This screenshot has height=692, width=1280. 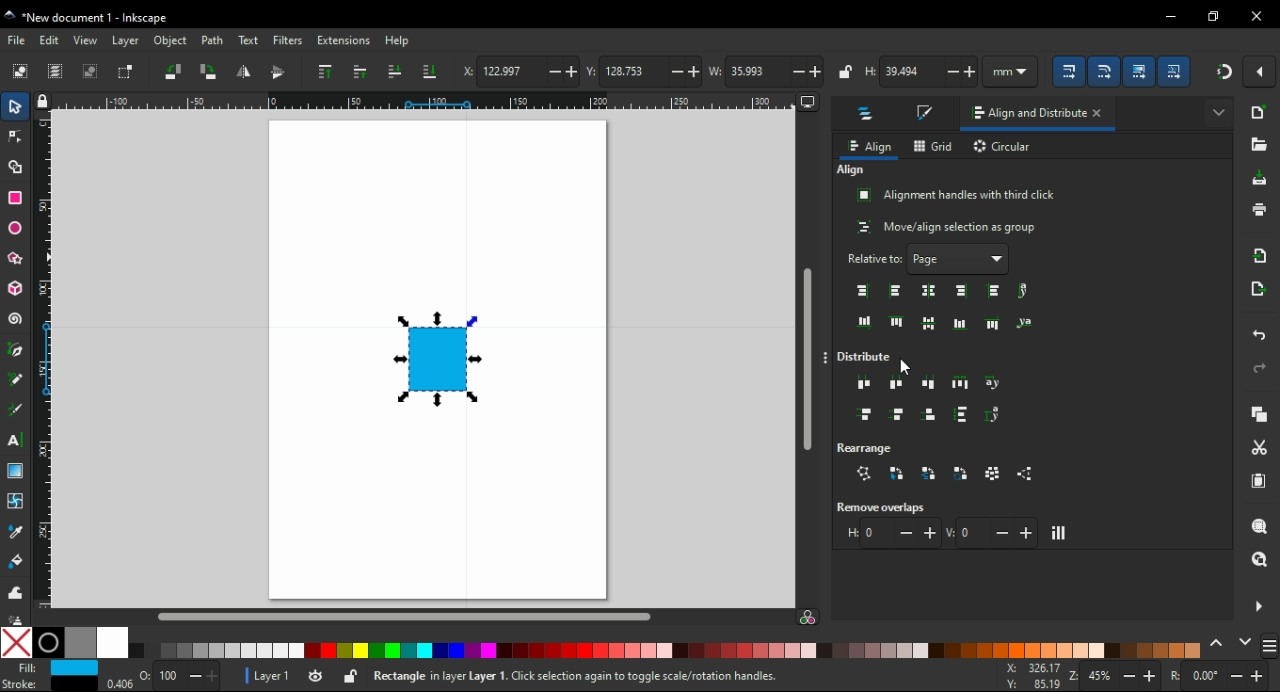 I want to click on align and distribute, so click(x=1023, y=114).